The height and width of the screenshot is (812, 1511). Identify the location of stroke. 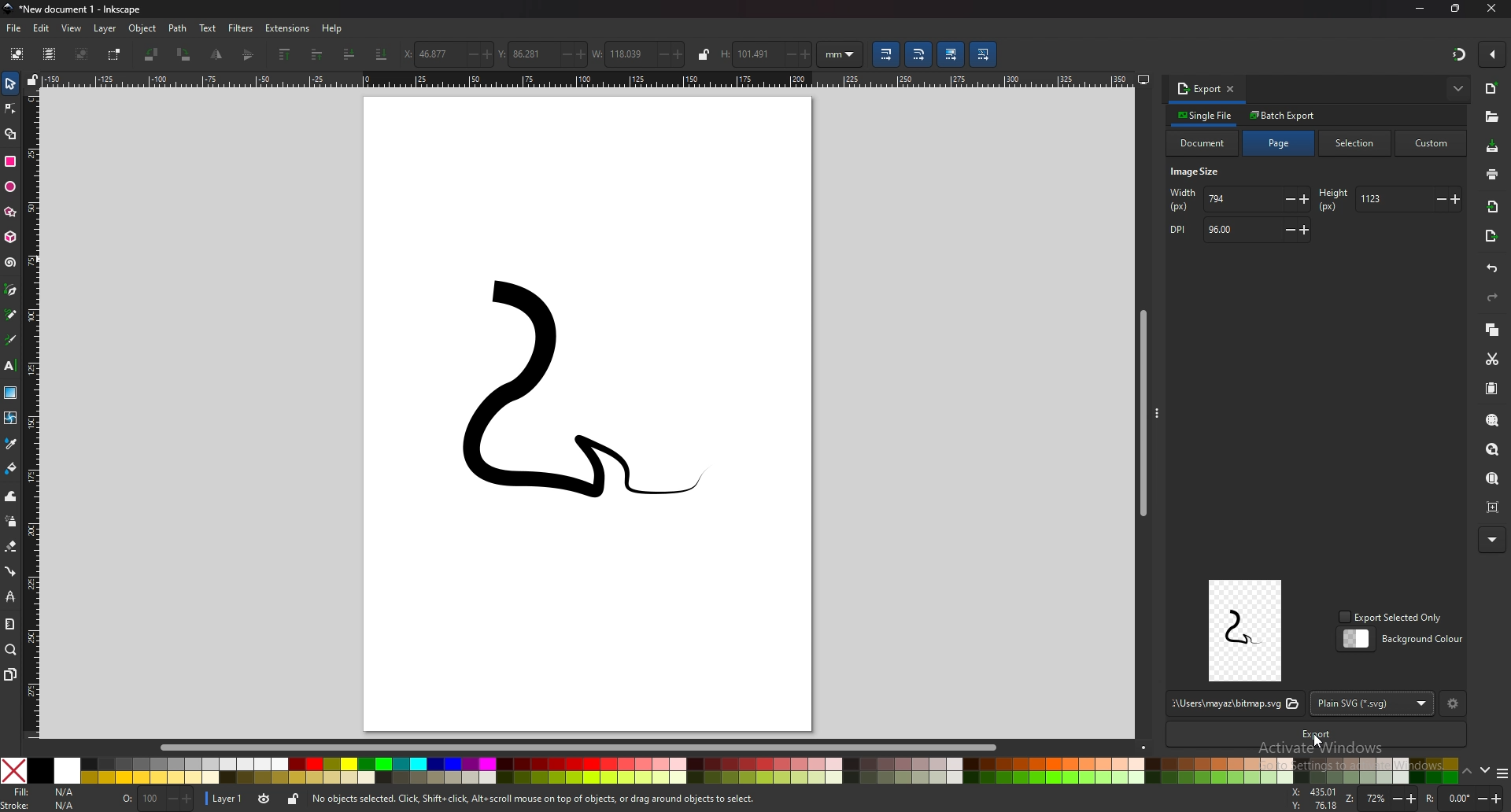
(42, 805).